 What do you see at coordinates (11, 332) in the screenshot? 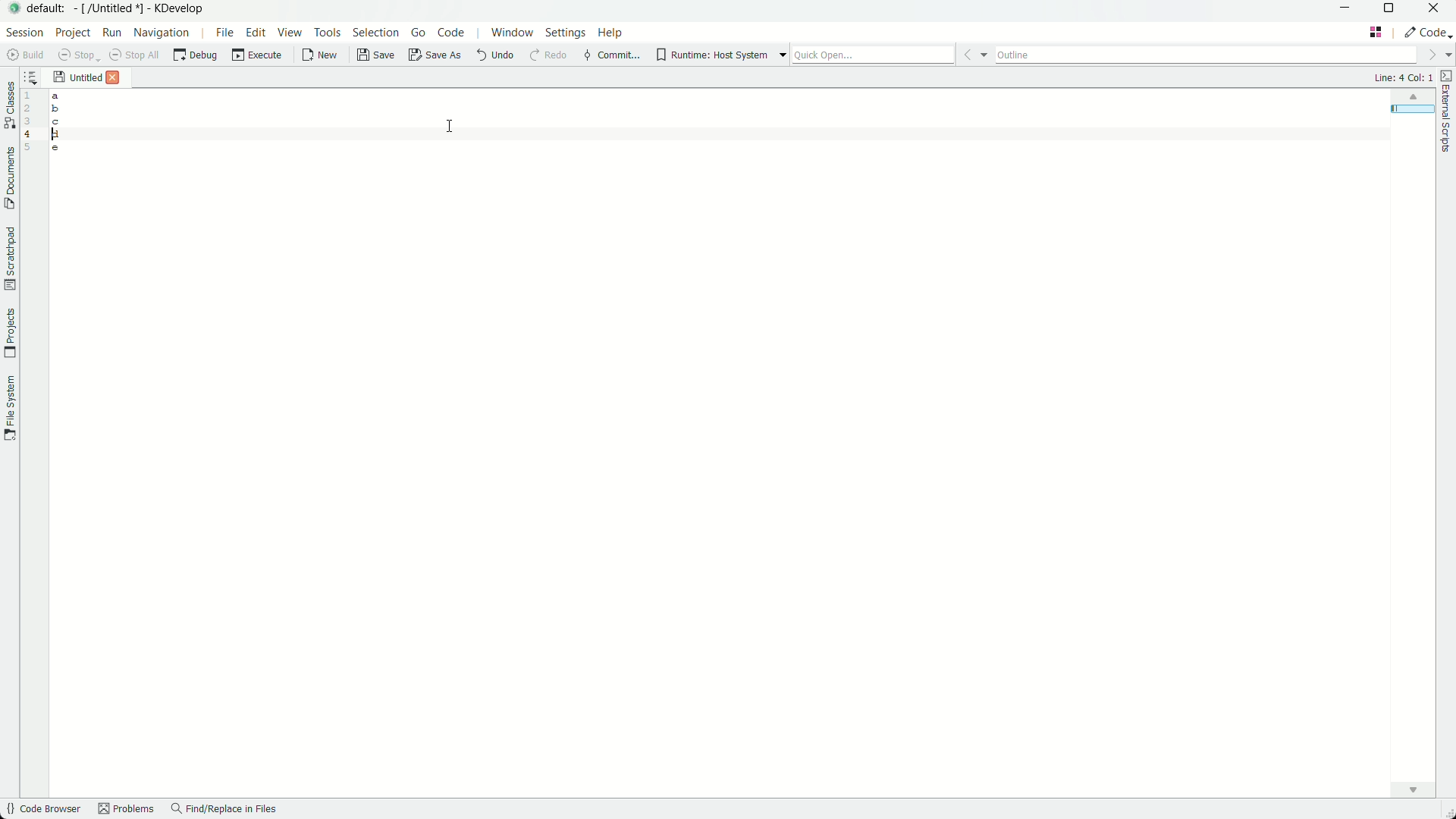
I see `projects` at bounding box center [11, 332].